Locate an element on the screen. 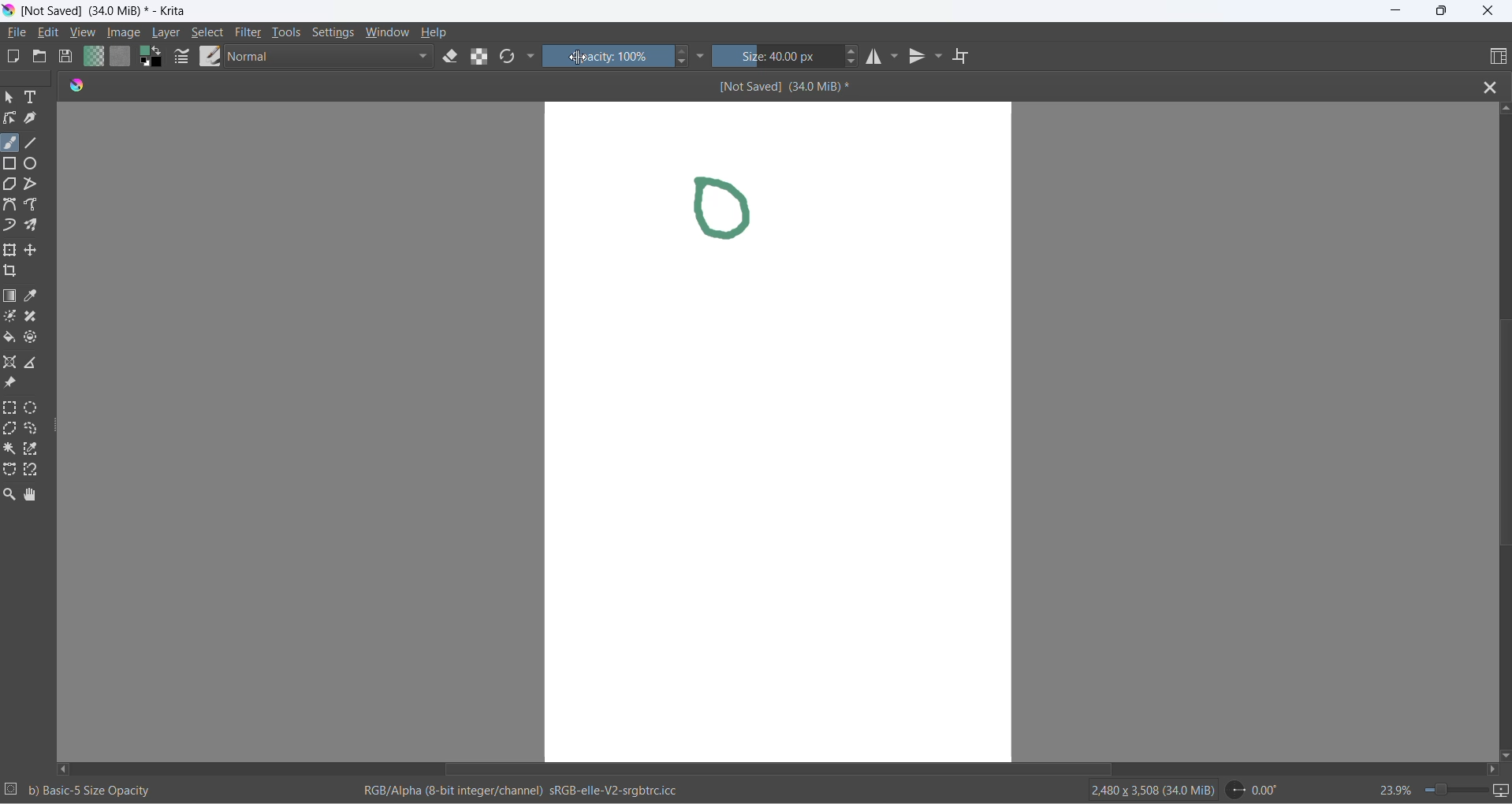  wrap around mode is located at coordinates (968, 56).